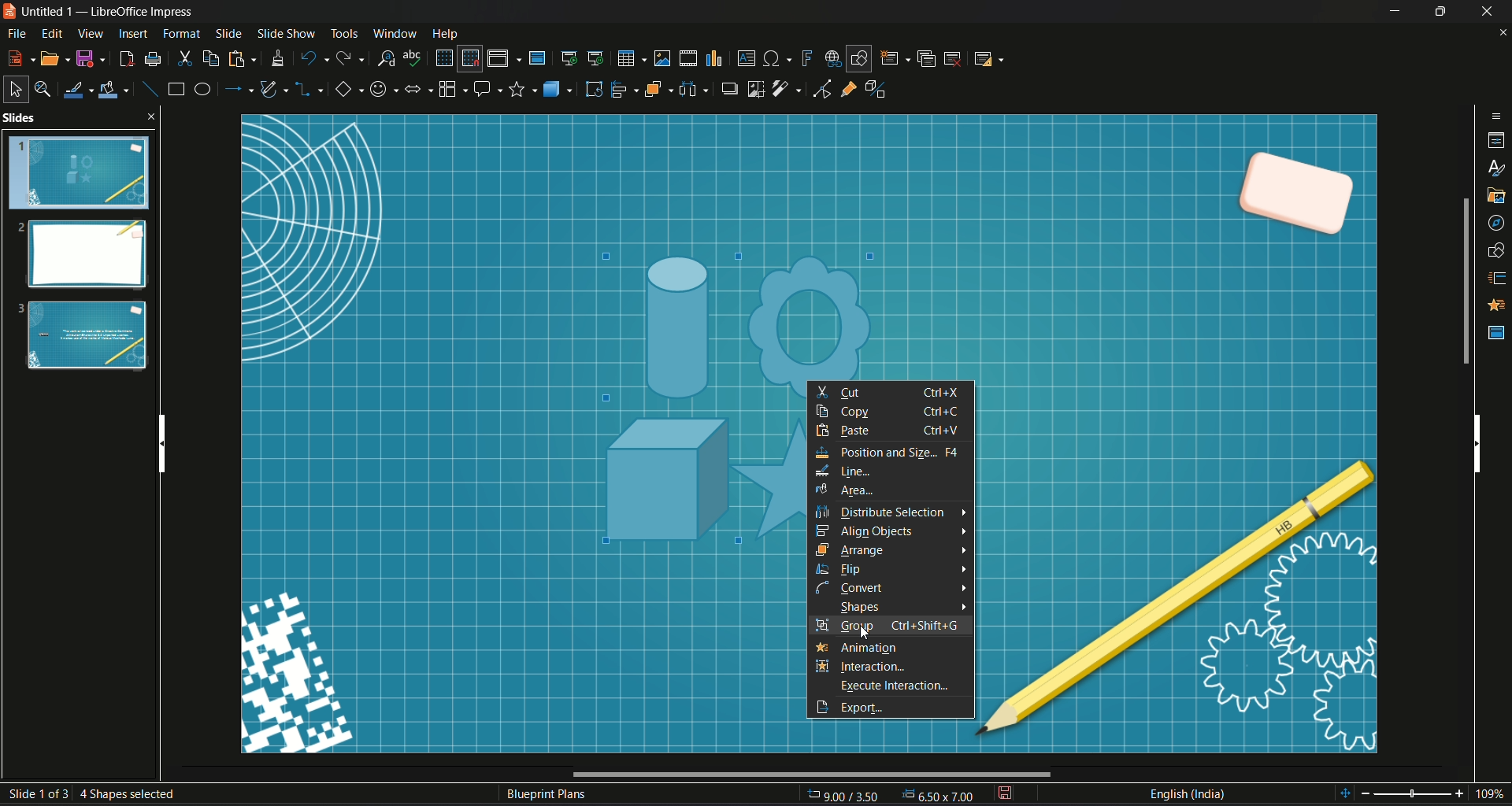 This screenshot has width=1512, height=806. I want to click on stars and banners, so click(522, 90).